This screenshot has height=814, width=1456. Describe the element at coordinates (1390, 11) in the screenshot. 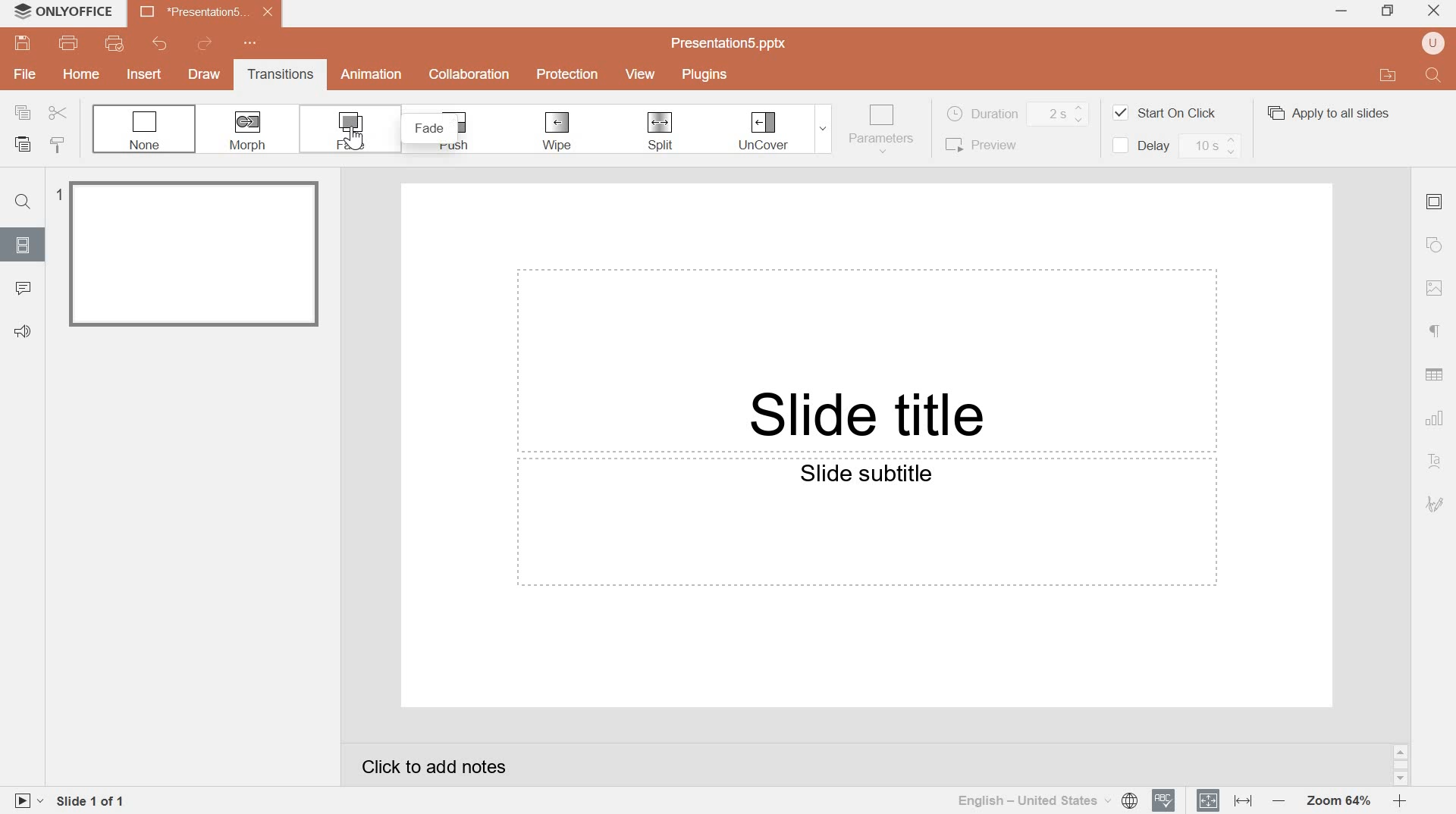

I see `Restore down` at that location.